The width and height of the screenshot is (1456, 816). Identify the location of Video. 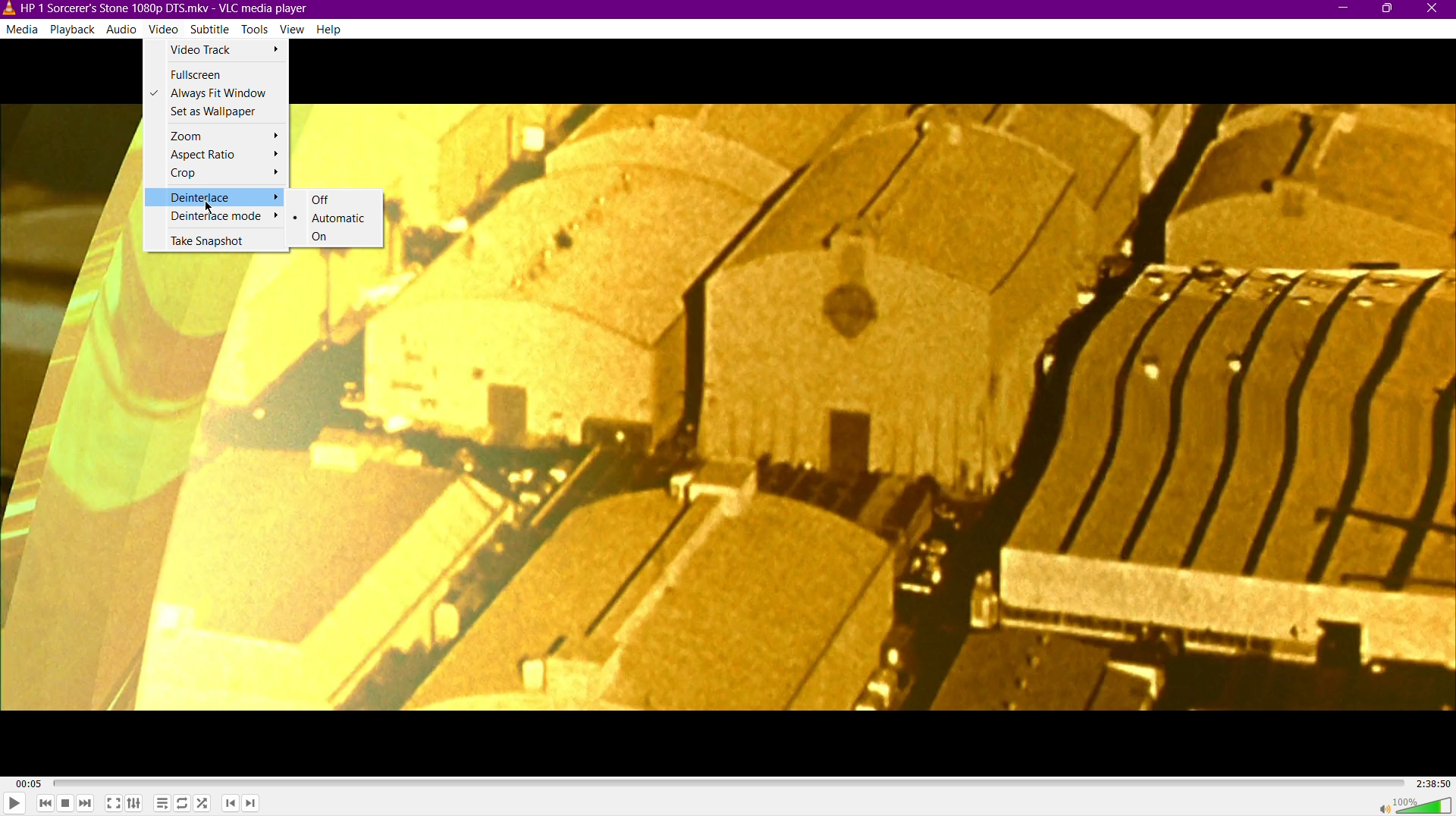
(165, 29).